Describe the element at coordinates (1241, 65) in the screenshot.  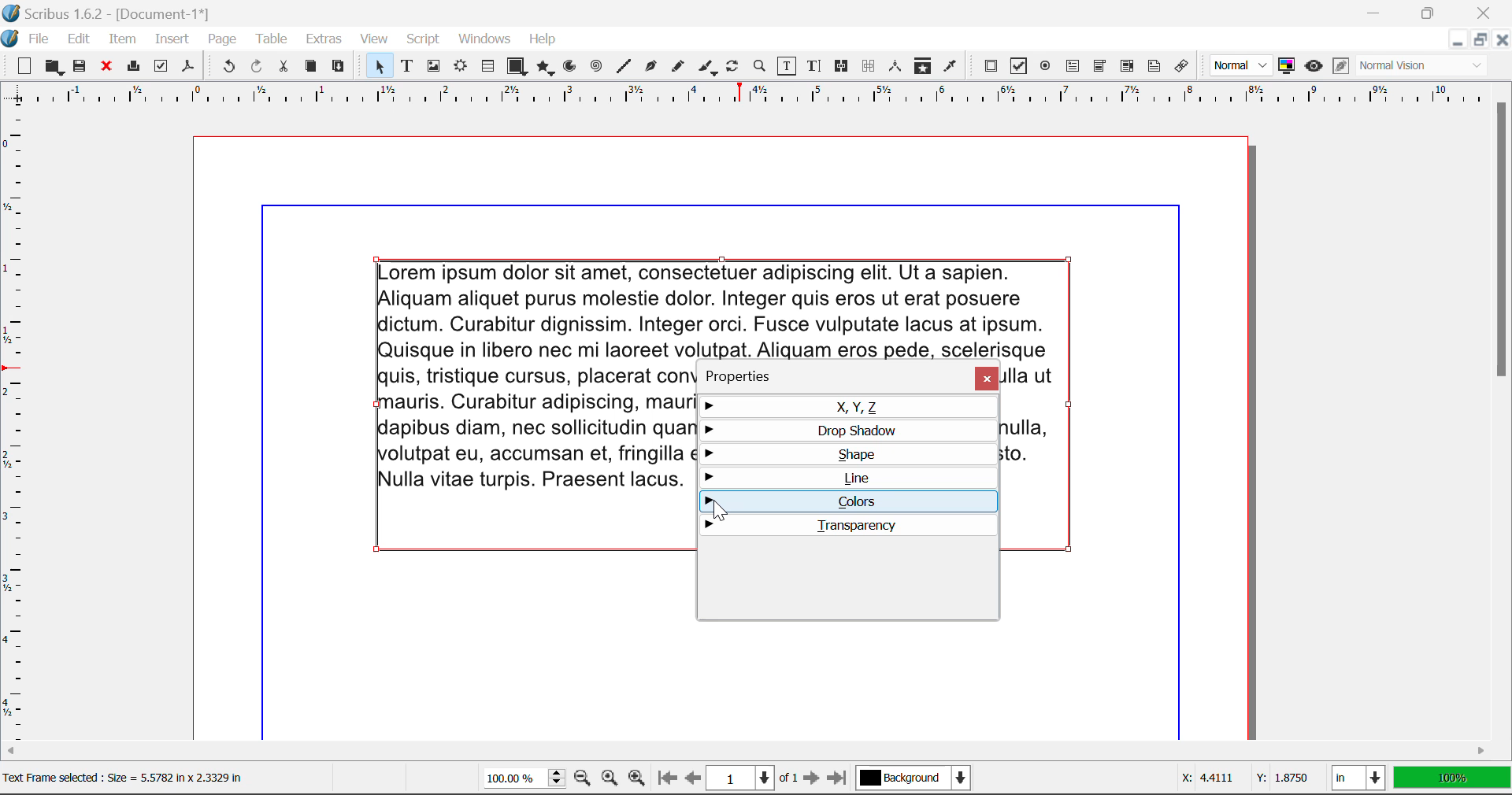
I see `Preview Mode` at that location.